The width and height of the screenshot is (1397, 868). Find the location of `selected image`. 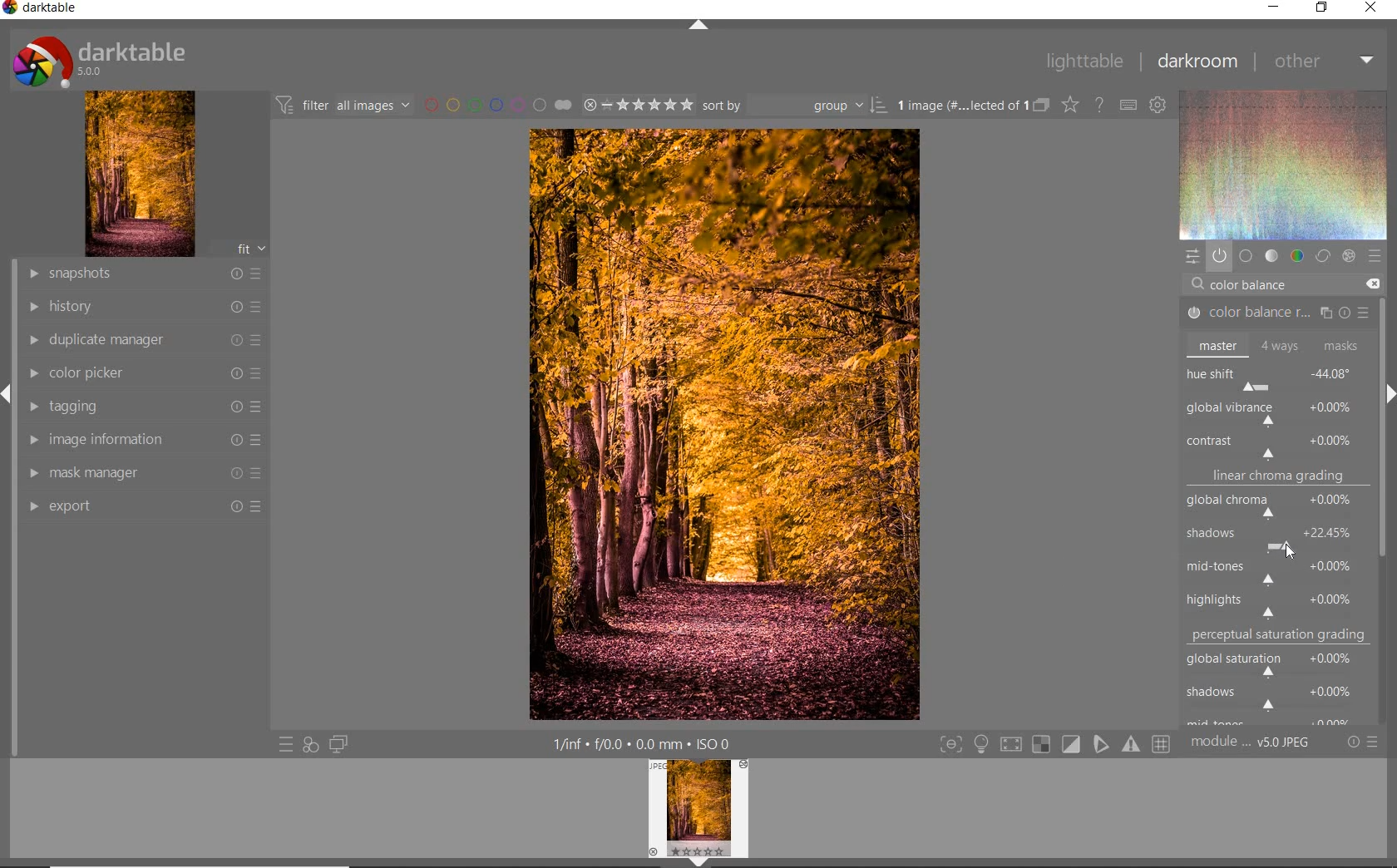

selected image is located at coordinates (723, 425).